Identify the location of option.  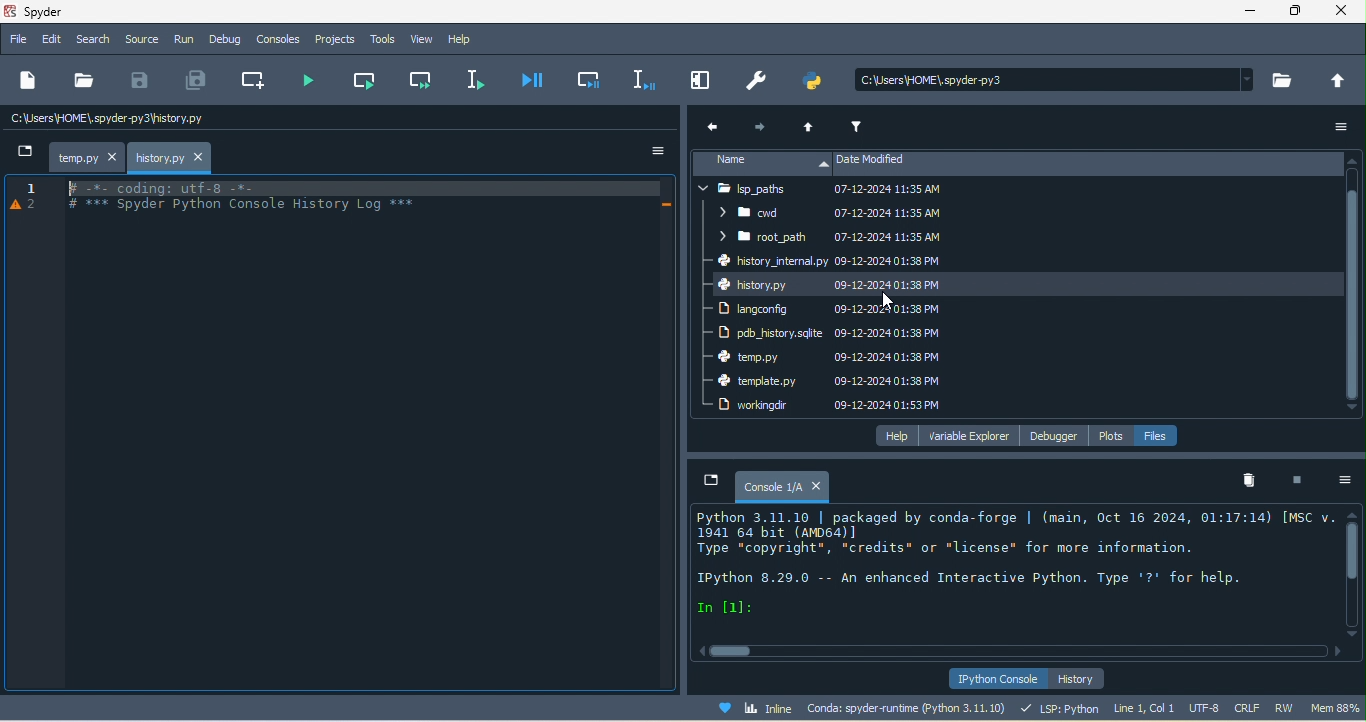
(1344, 481).